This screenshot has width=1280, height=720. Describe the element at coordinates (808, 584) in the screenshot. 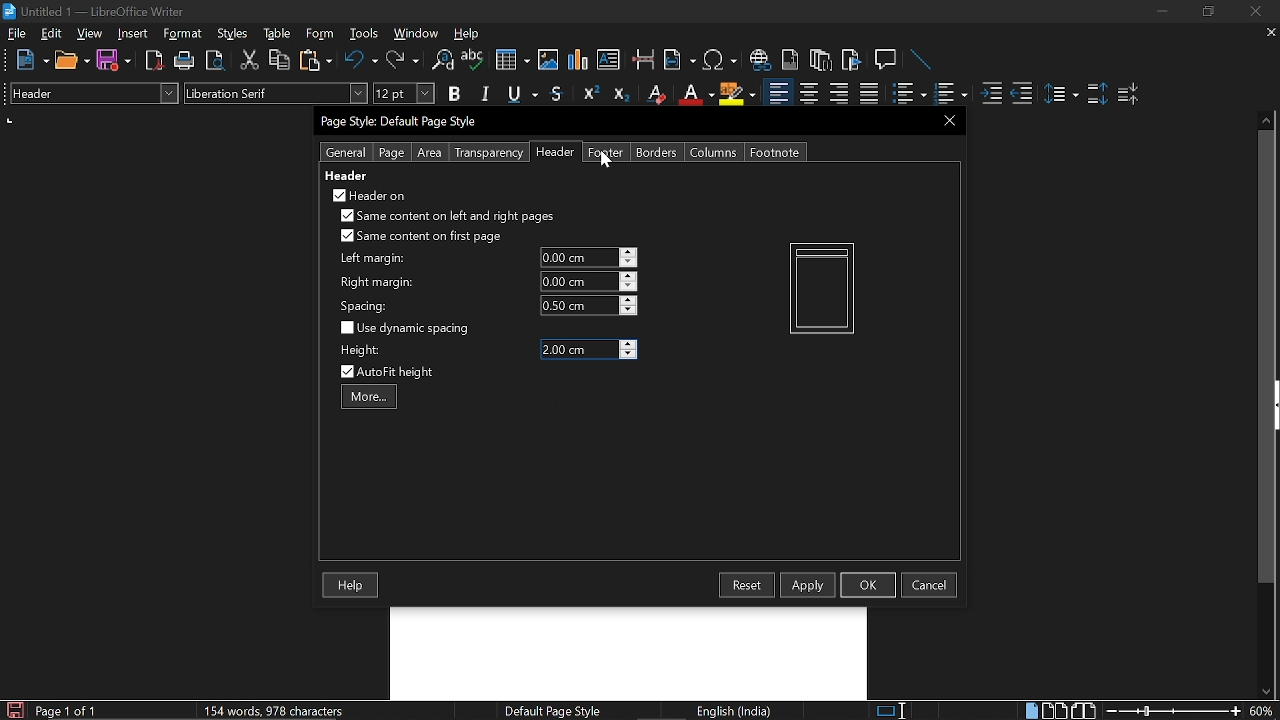

I see `Apply` at that location.